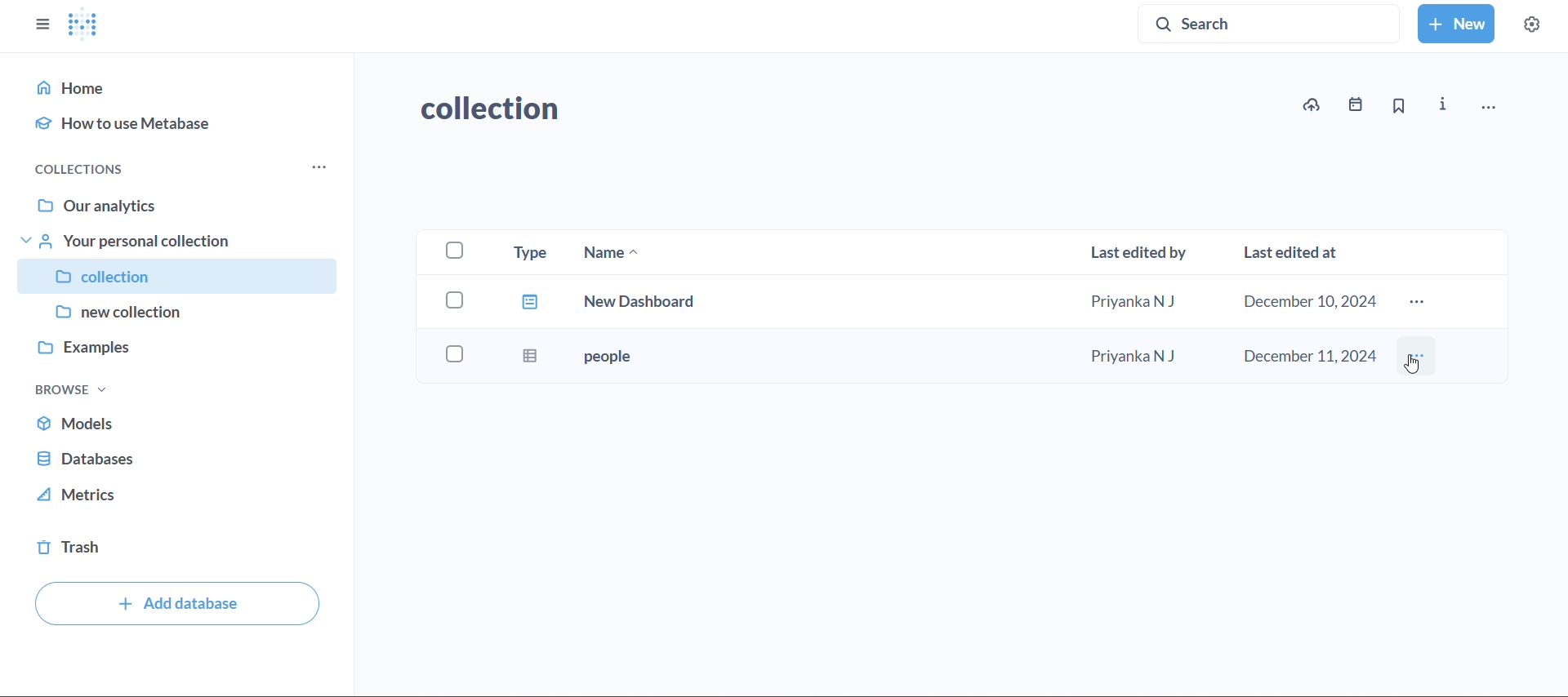  I want to click on collections, so click(93, 167).